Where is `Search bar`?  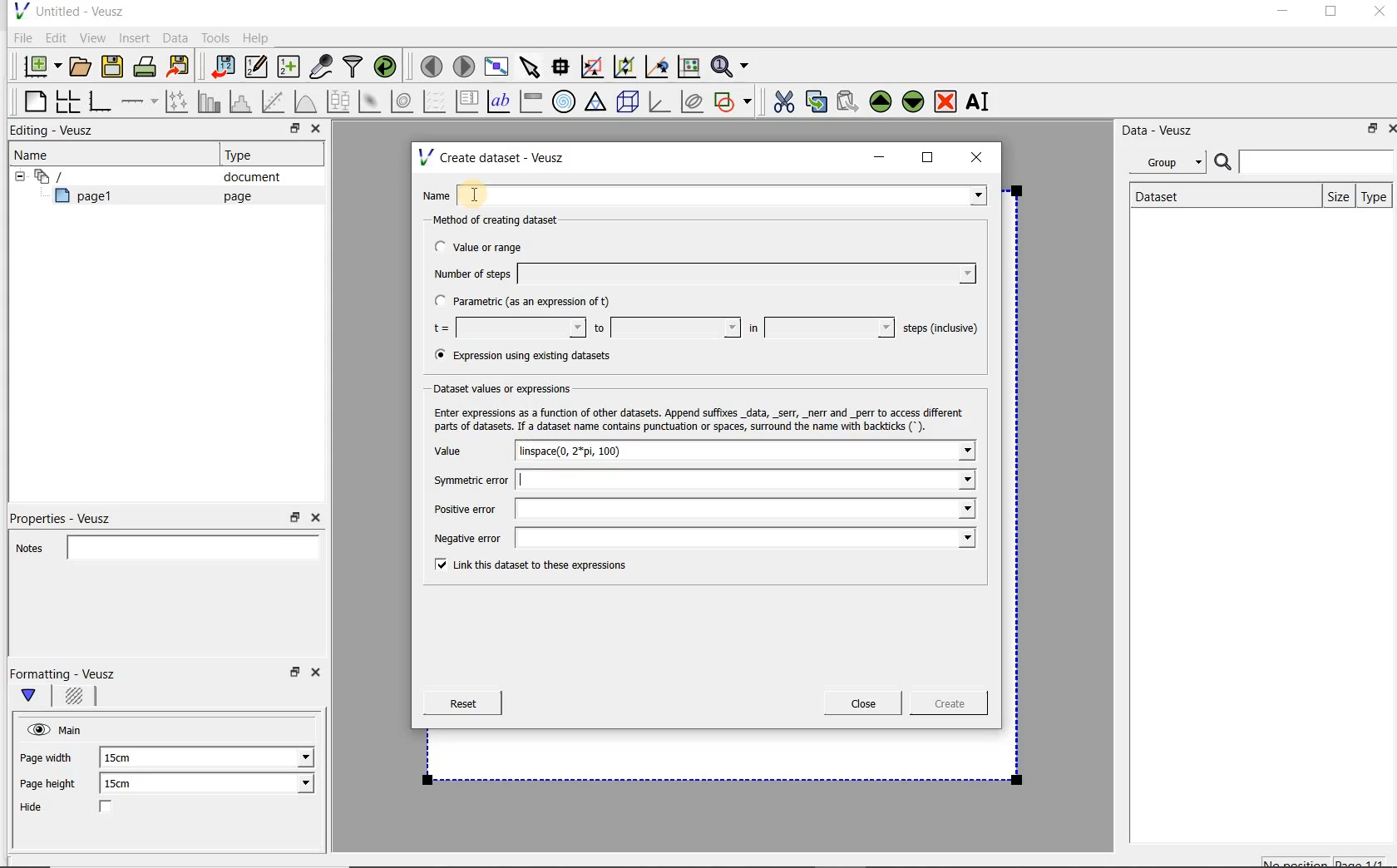 Search bar is located at coordinates (1305, 160).